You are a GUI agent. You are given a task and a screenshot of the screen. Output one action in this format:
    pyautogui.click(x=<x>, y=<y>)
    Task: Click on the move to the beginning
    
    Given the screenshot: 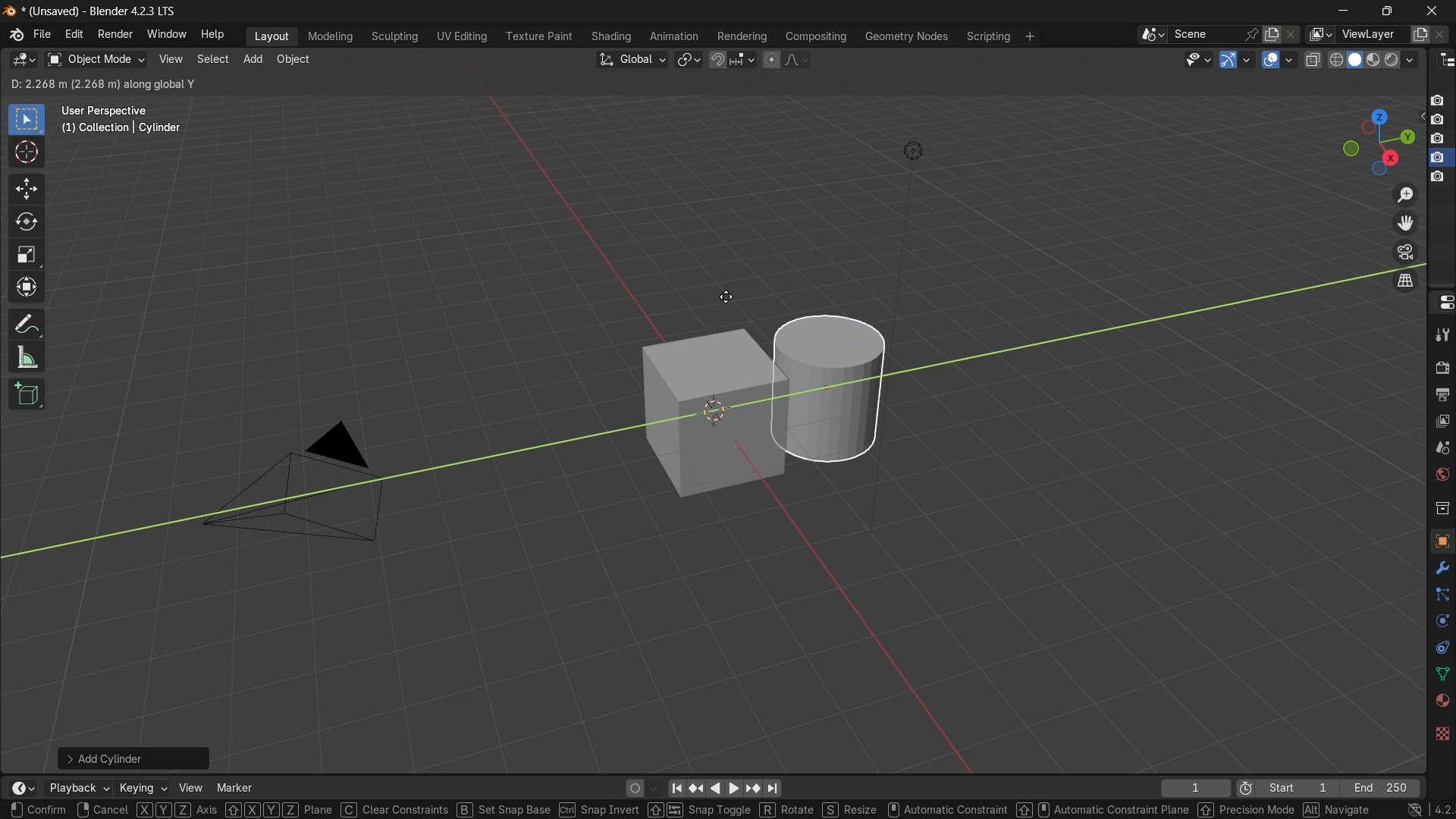 What is the action you would take?
    pyautogui.click(x=679, y=789)
    